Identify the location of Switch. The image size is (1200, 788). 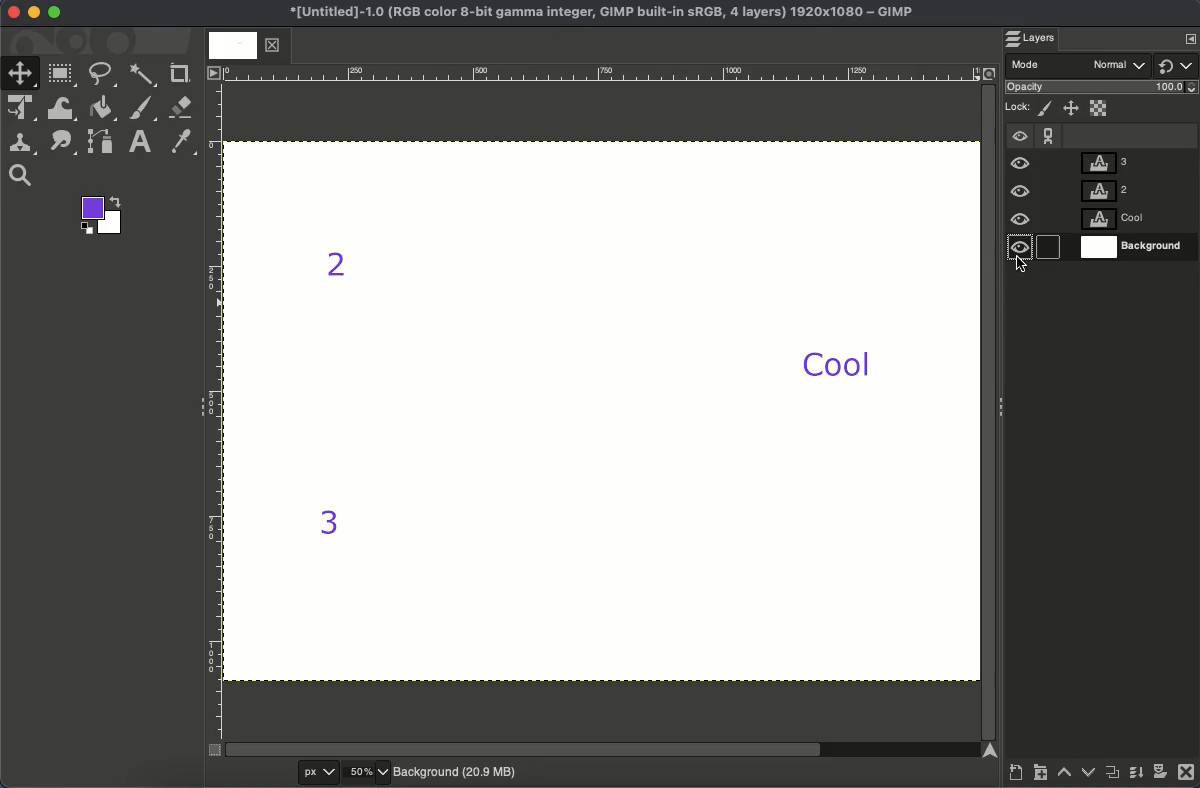
(1177, 65).